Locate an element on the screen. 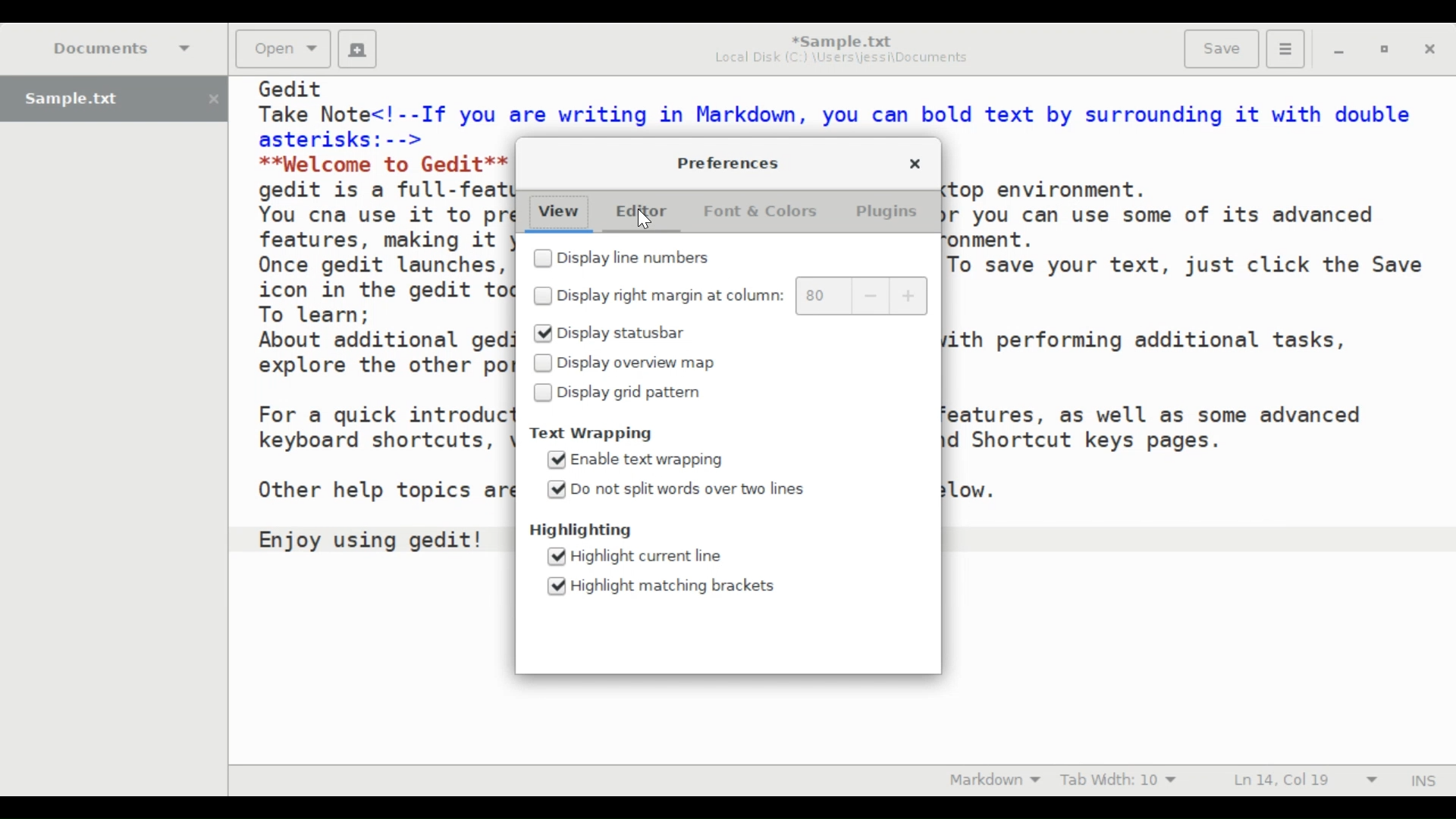  Sample.txt is located at coordinates (114, 99).